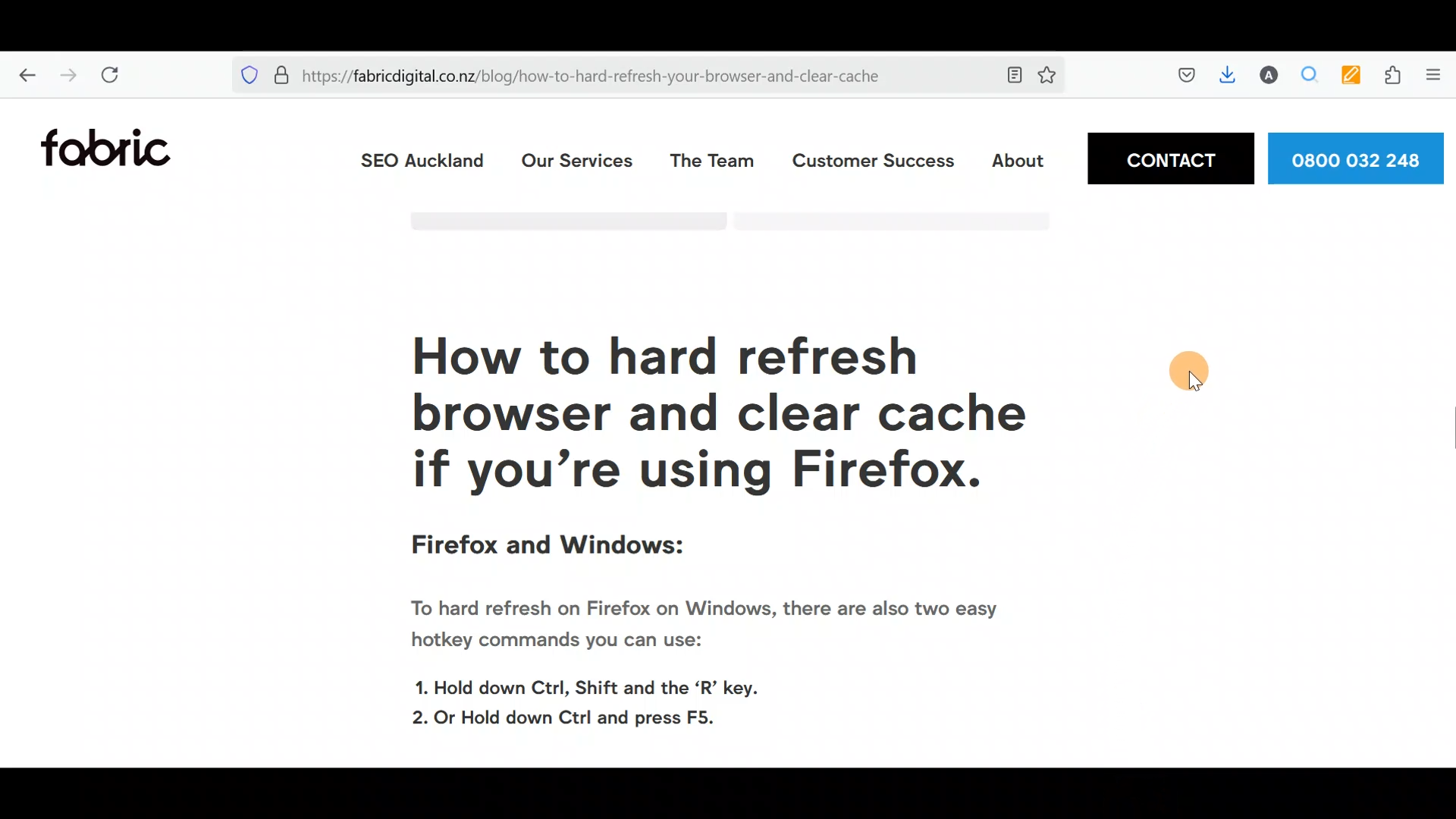 The height and width of the screenshot is (819, 1456). What do you see at coordinates (549, 549) in the screenshot?
I see `Firefox and Windows` at bounding box center [549, 549].